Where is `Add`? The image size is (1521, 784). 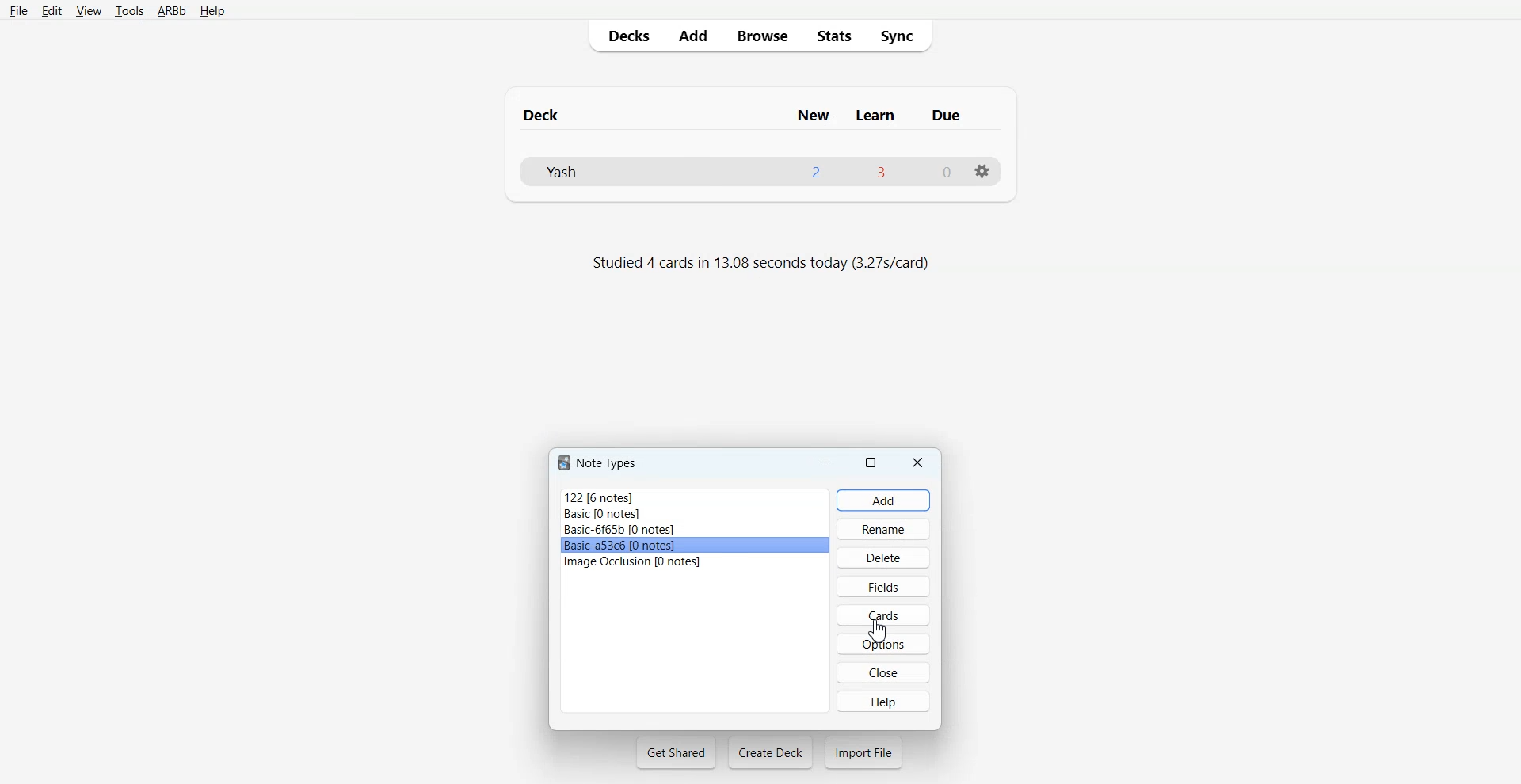 Add is located at coordinates (692, 36).